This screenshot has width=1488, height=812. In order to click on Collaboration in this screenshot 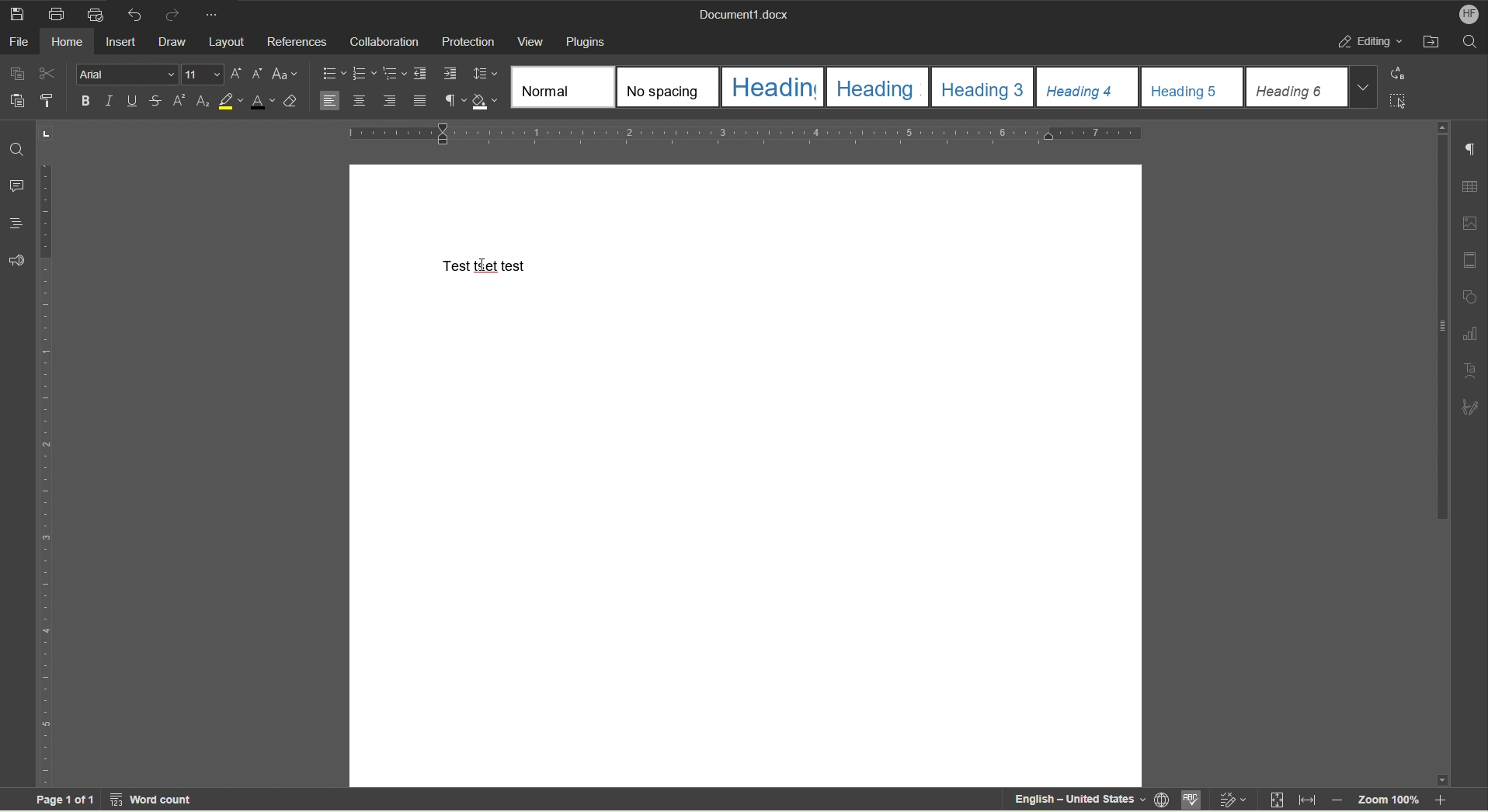, I will do `click(382, 40)`.